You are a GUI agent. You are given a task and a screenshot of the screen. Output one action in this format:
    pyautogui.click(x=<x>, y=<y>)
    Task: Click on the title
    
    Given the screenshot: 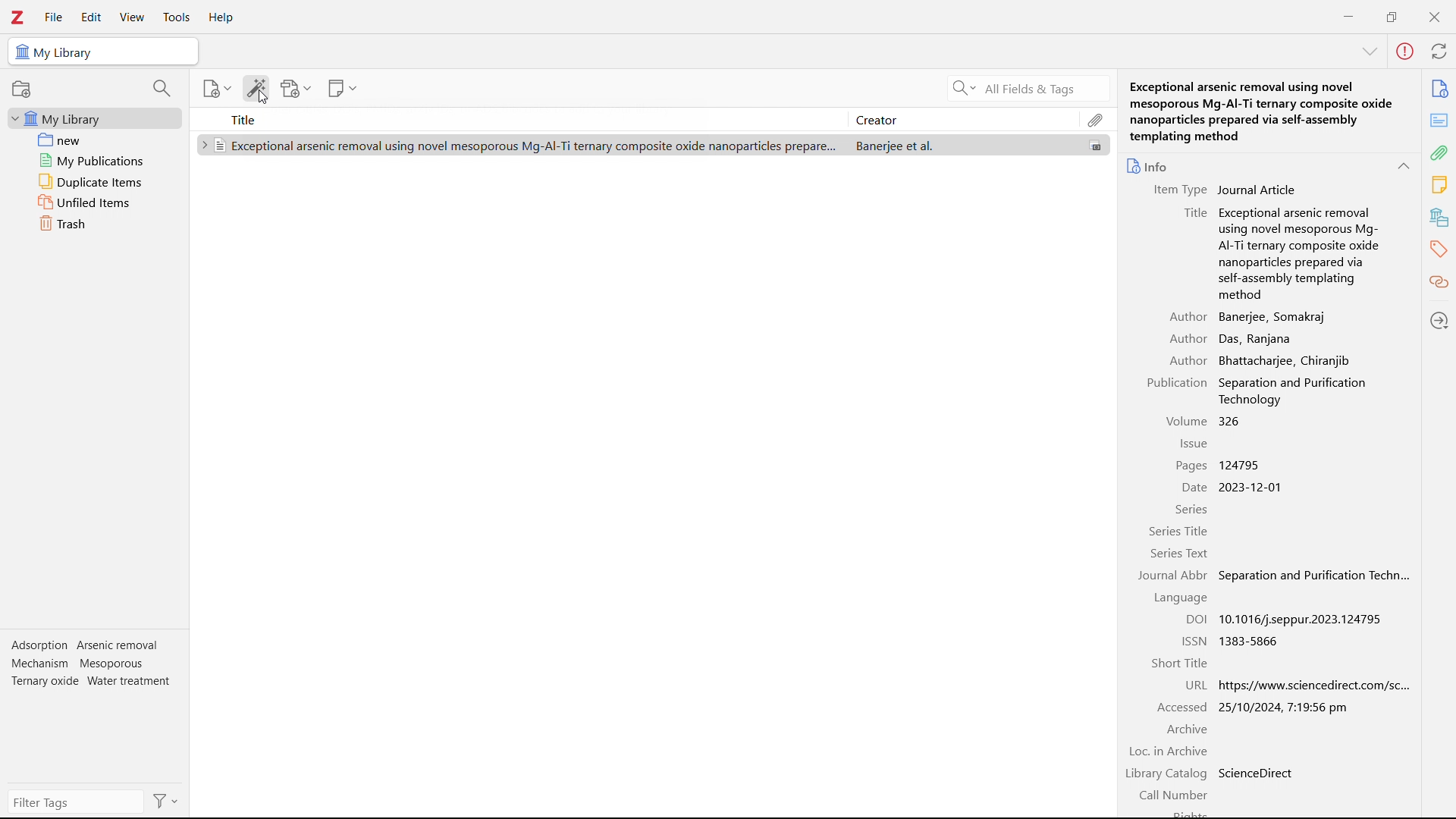 What is the action you would take?
    pyautogui.click(x=517, y=119)
    